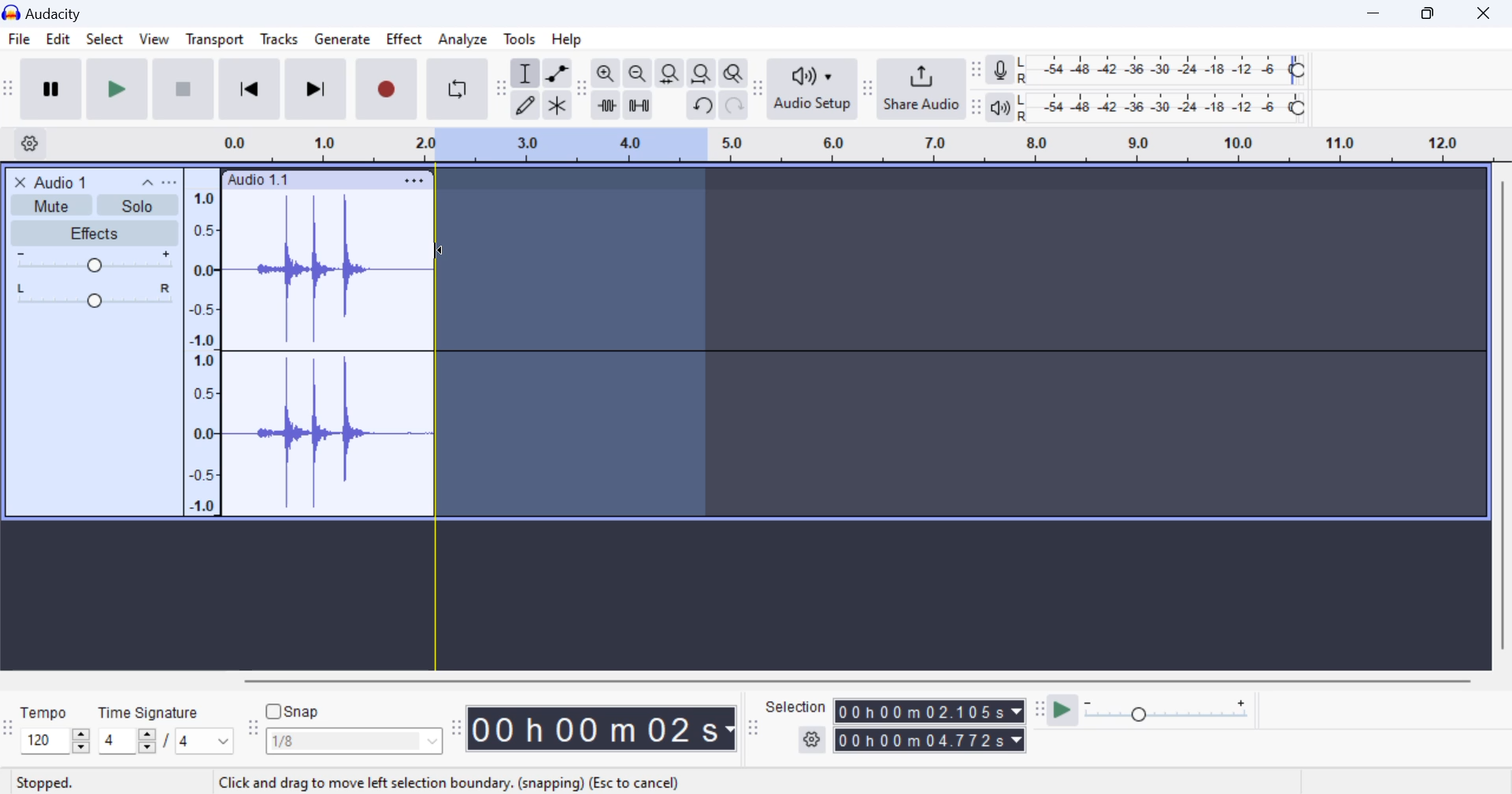 Image resolution: width=1512 pixels, height=794 pixels. I want to click on Volume, so click(91, 262).